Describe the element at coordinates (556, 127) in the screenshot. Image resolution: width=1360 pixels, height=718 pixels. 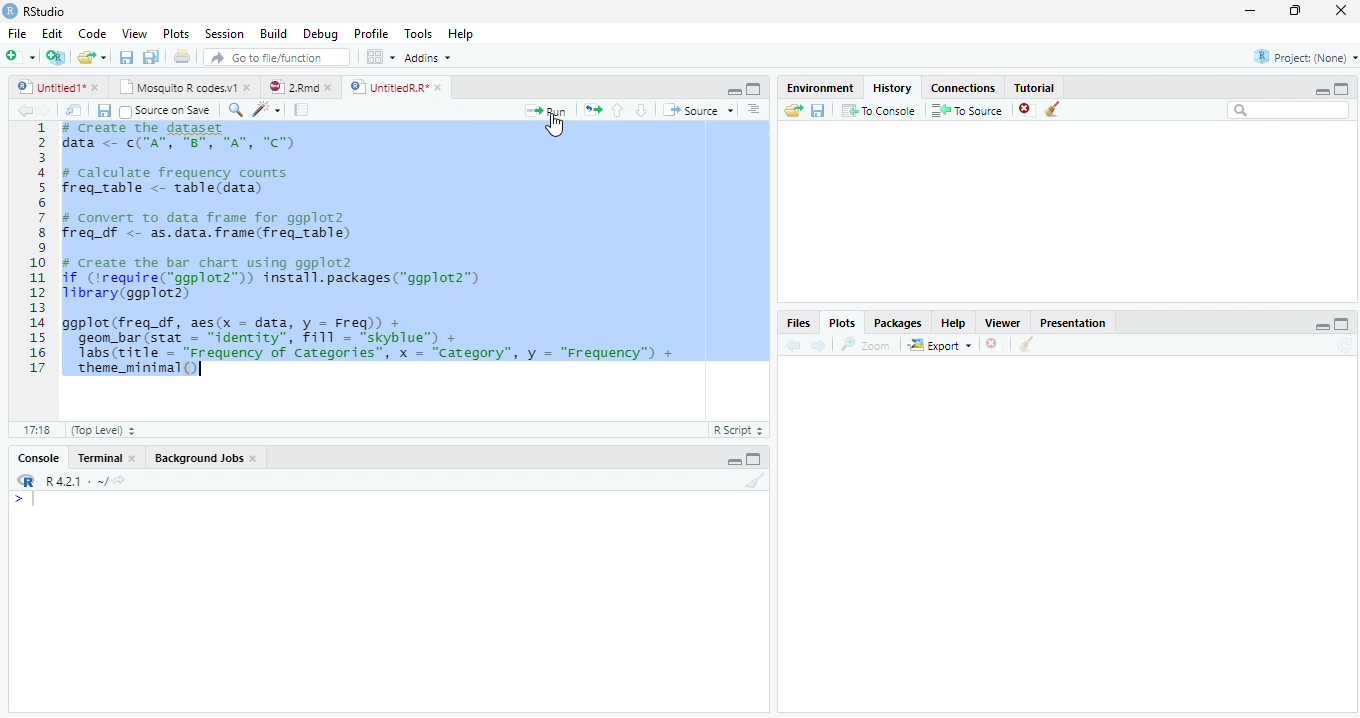
I see `Cursor` at that location.